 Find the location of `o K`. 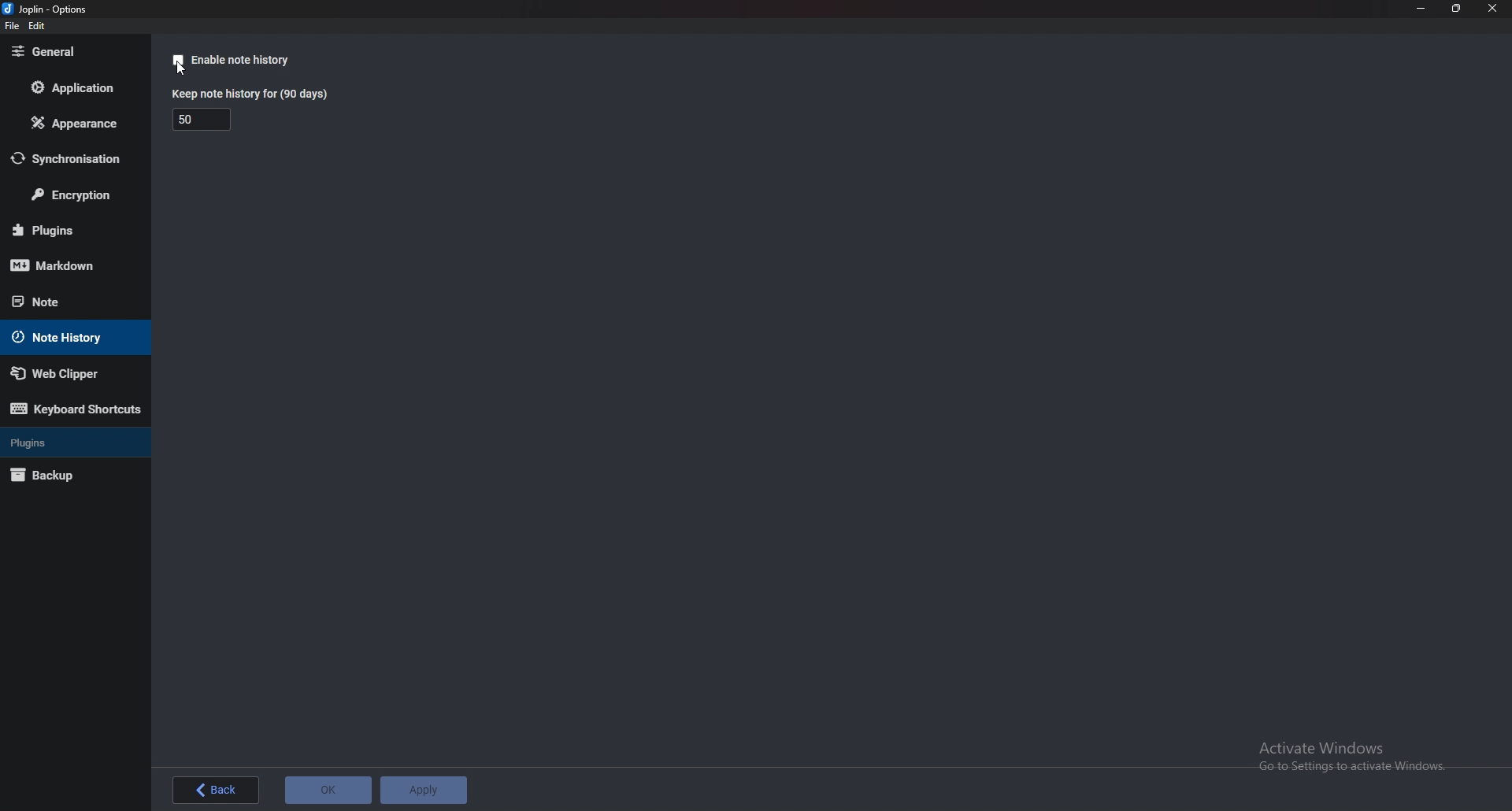

o K is located at coordinates (329, 789).